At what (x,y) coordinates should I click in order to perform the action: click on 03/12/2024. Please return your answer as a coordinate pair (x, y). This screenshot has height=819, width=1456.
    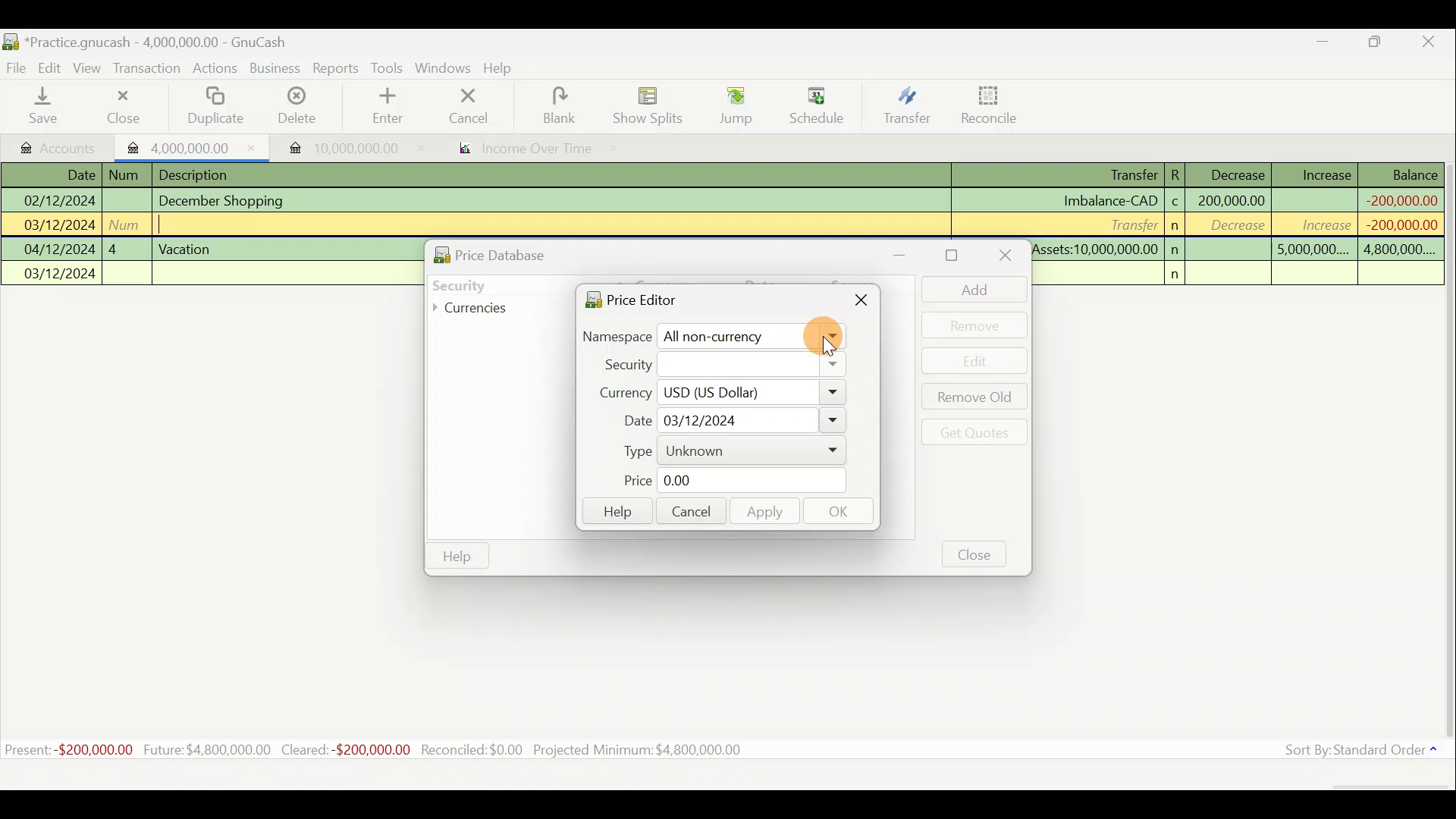
    Looking at the image, I should click on (60, 227).